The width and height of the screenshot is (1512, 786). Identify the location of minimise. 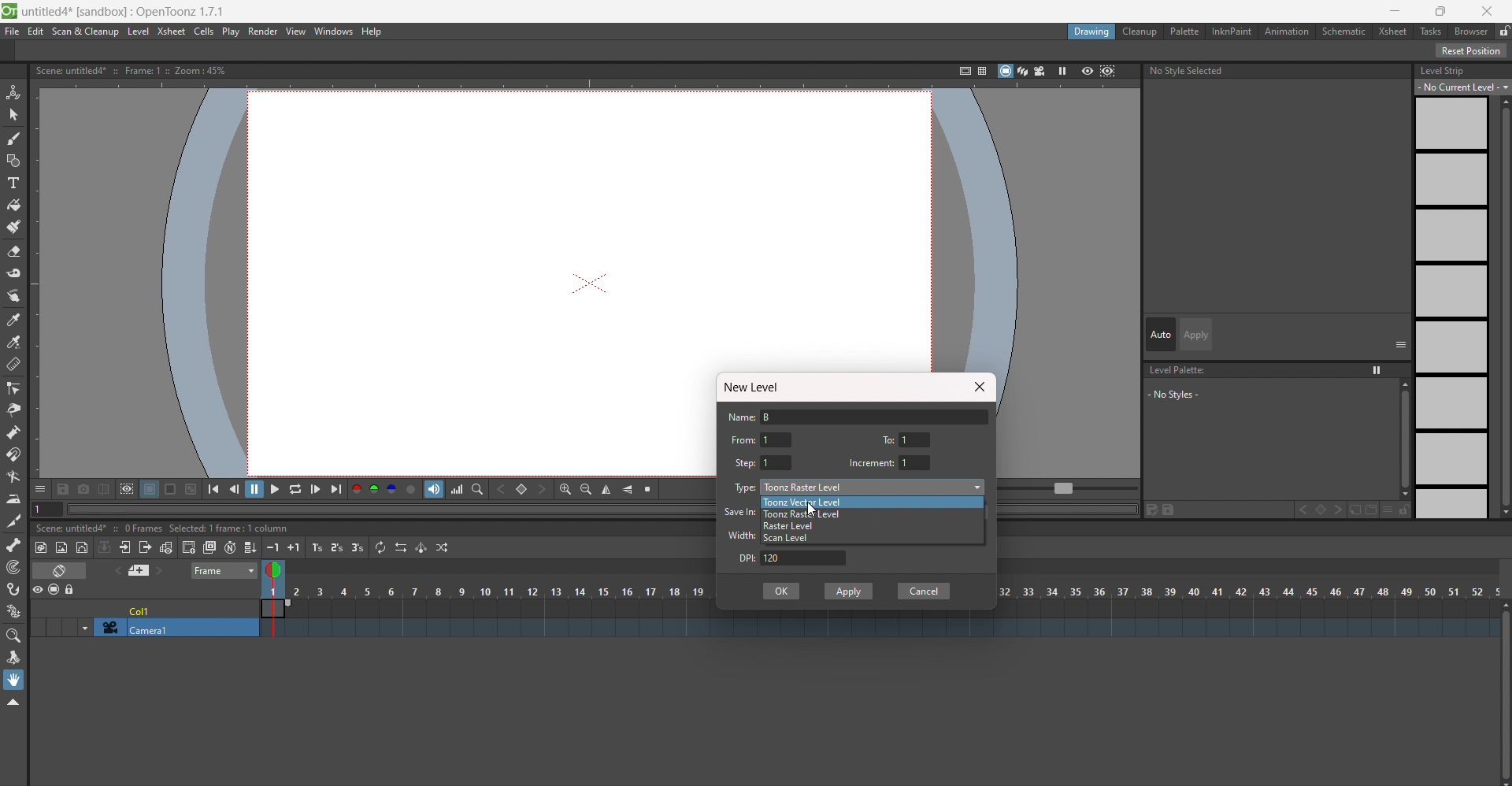
(1395, 11).